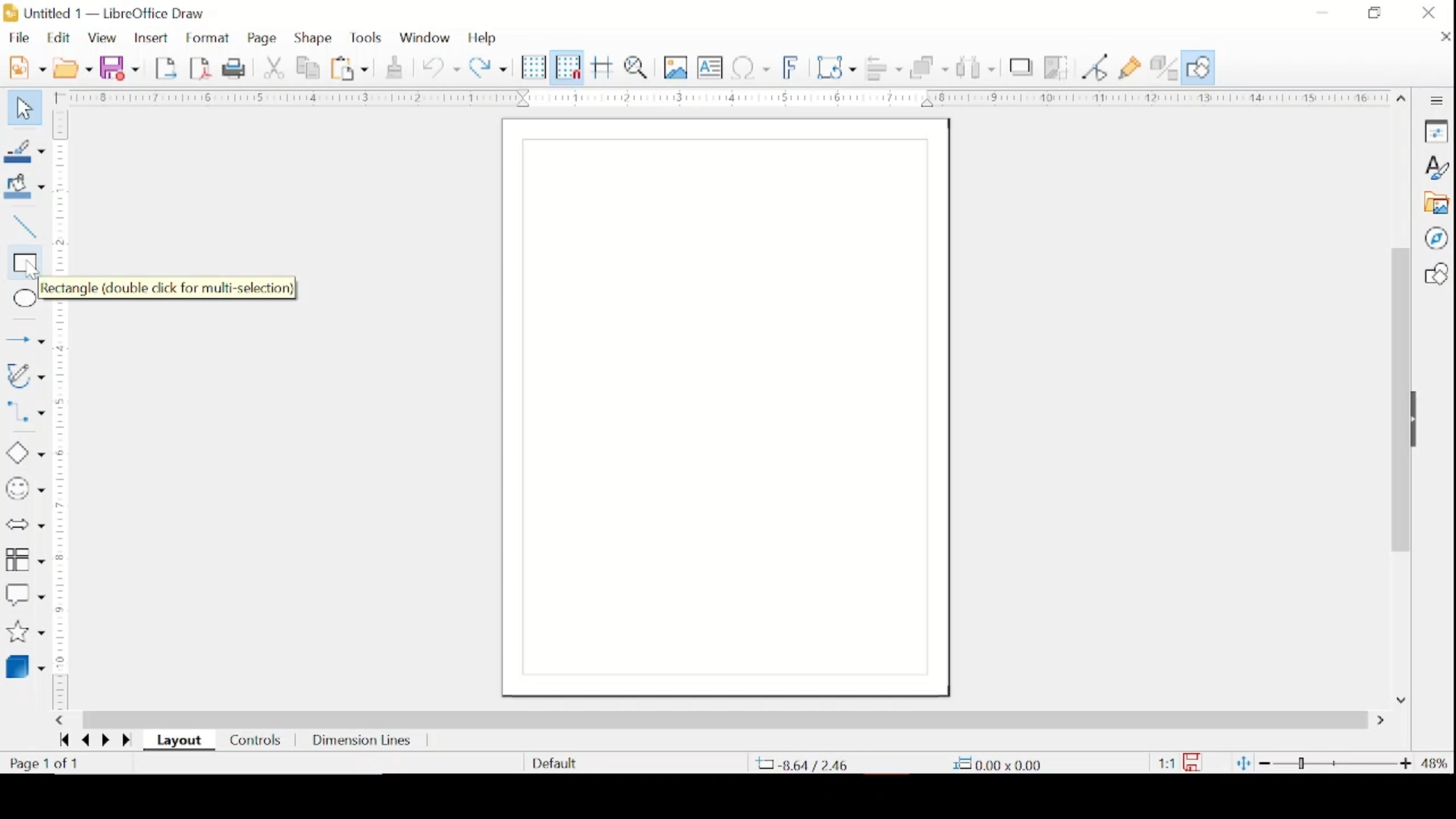 The image size is (1456, 819). I want to click on copy, so click(310, 68).